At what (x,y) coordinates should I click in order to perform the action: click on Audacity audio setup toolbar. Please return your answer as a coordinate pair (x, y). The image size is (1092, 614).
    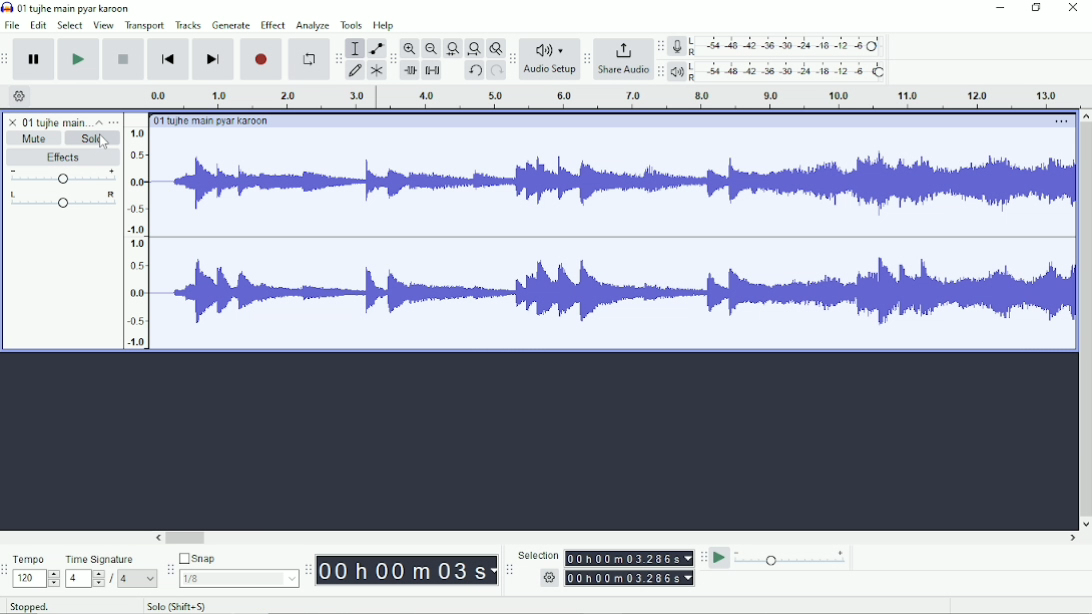
    Looking at the image, I should click on (511, 60).